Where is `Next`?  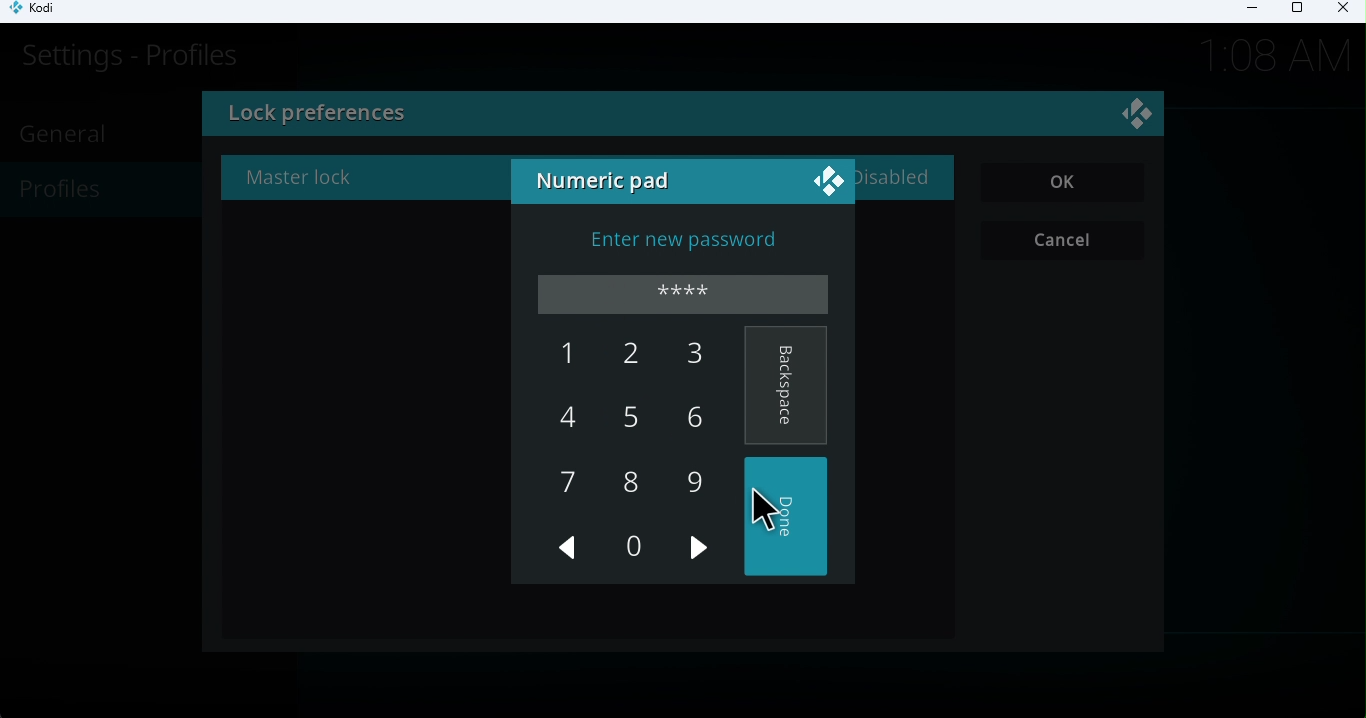 Next is located at coordinates (702, 559).